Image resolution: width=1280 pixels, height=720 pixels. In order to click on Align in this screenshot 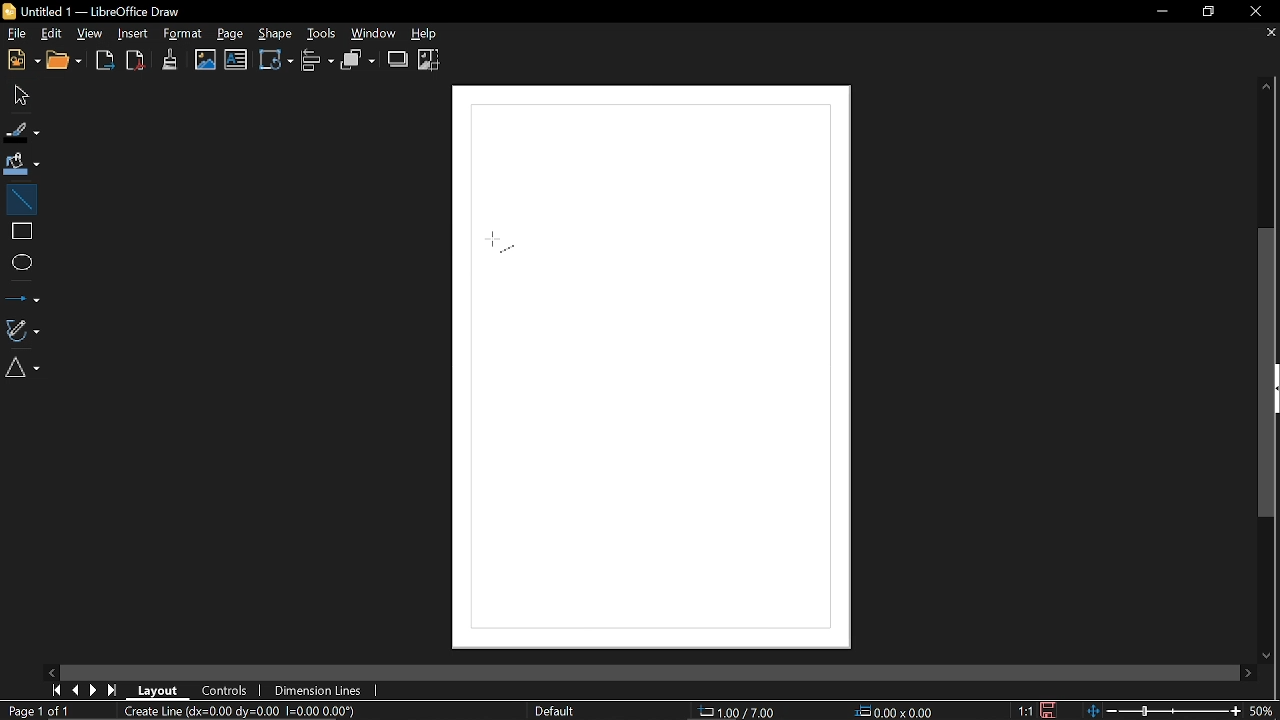, I will do `click(318, 62)`.